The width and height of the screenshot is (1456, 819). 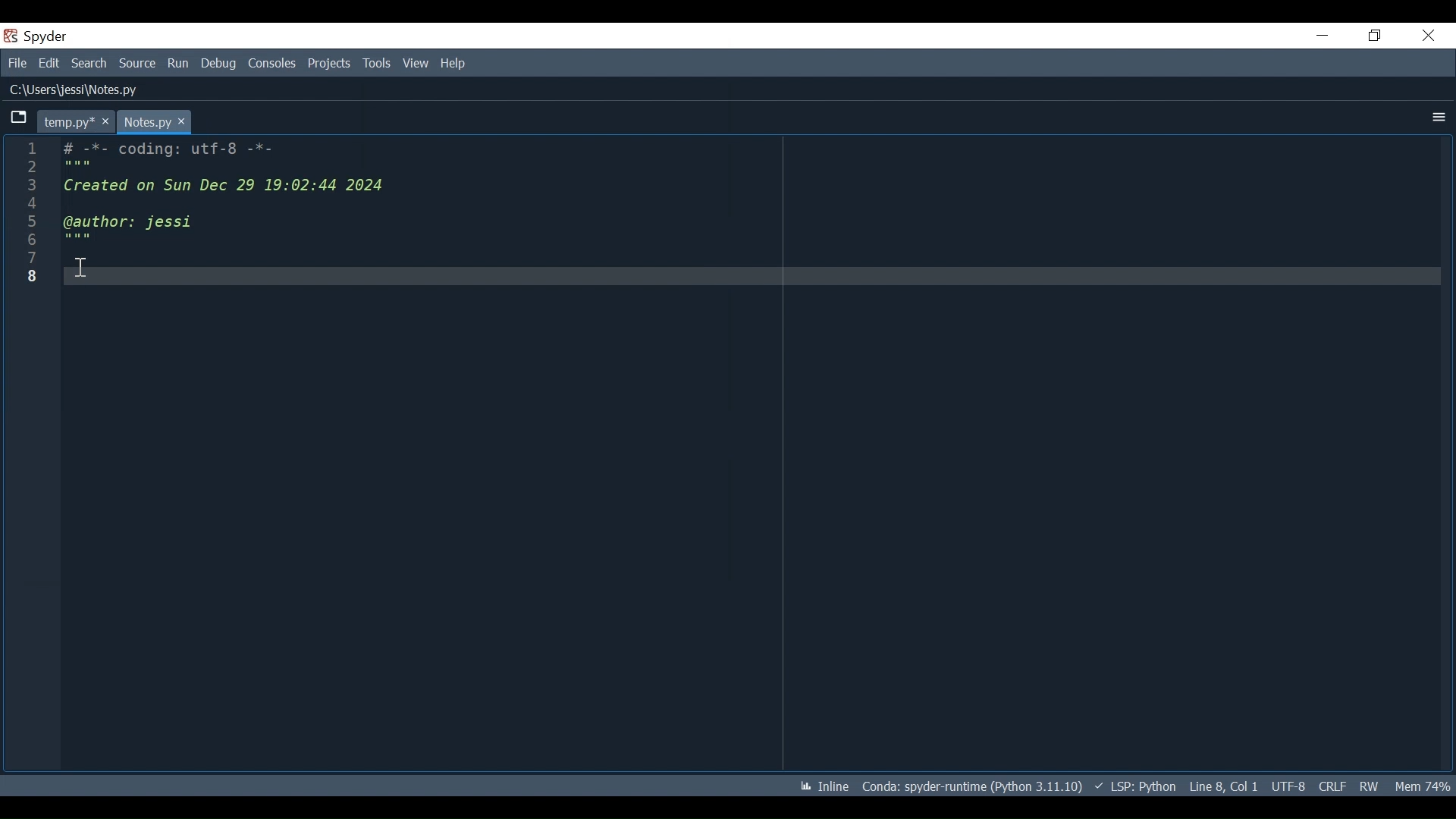 What do you see at coordinates (1332, 786) in the screenshot?
I see `File EQL Status` at bounding box center [1332, 786].